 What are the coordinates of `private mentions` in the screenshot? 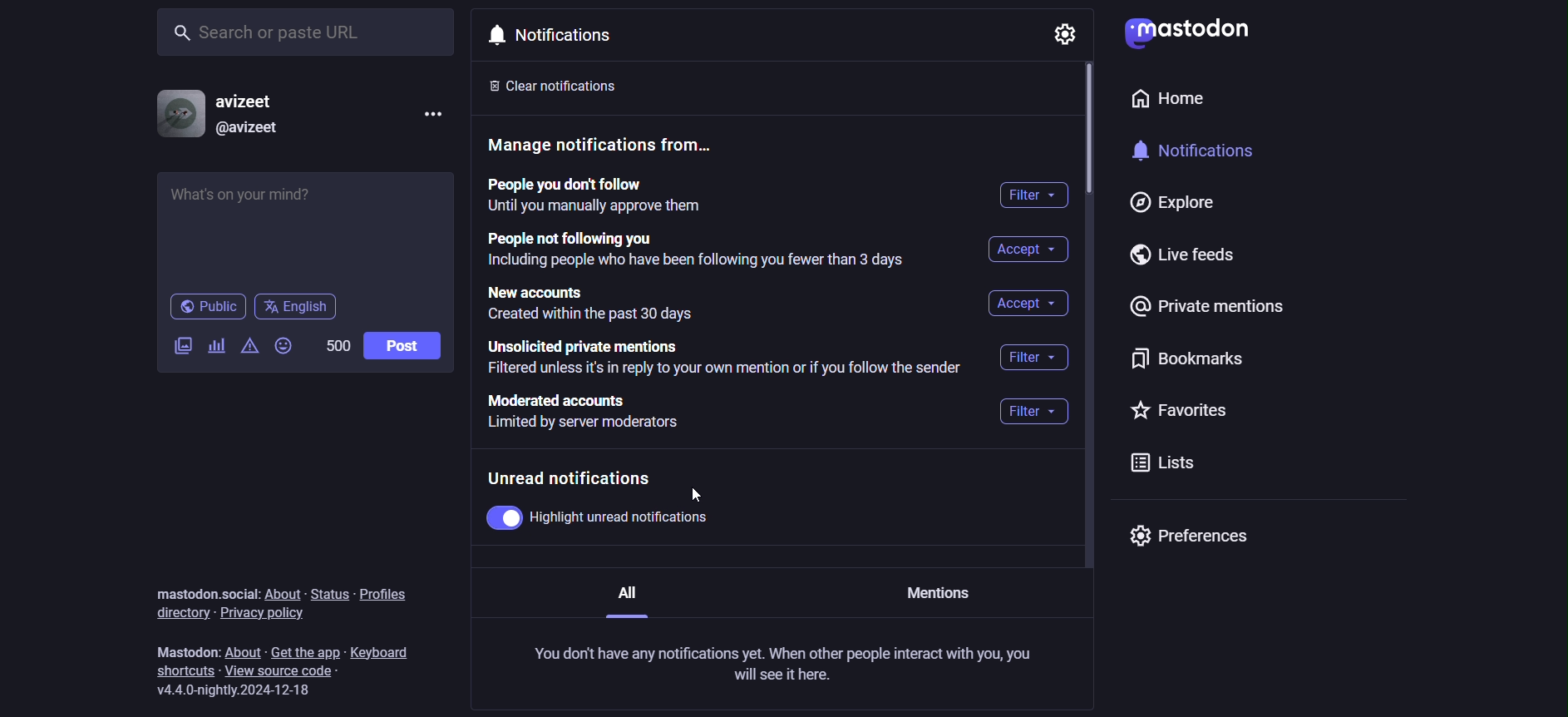 It's located at (1202, 314).